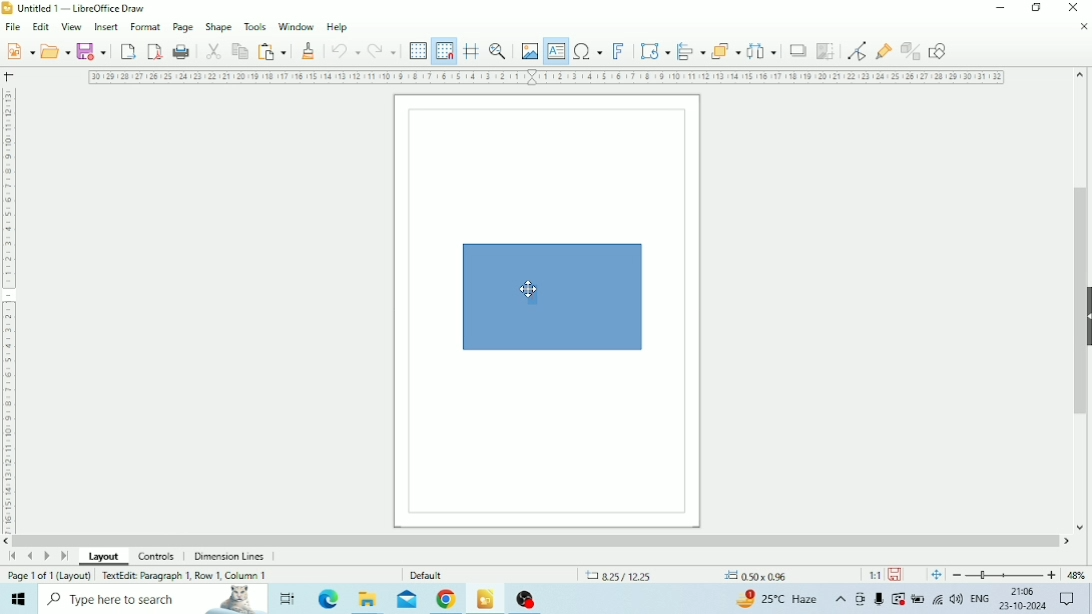  I want to click on Insert Text Box, so click(554, 51).